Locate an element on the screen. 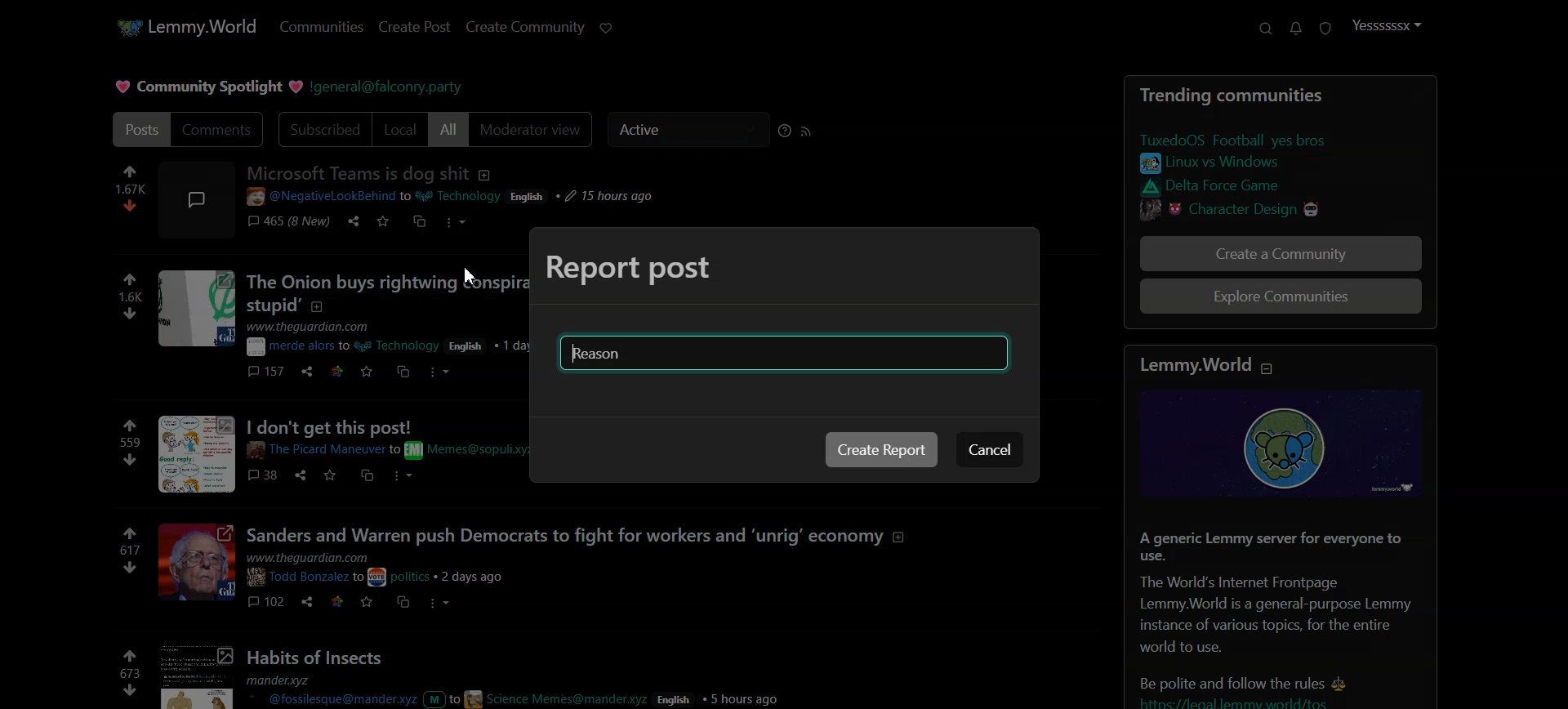 The height and width of the screenshot is (709, 1568). comments is located at coordinates (267, 600).